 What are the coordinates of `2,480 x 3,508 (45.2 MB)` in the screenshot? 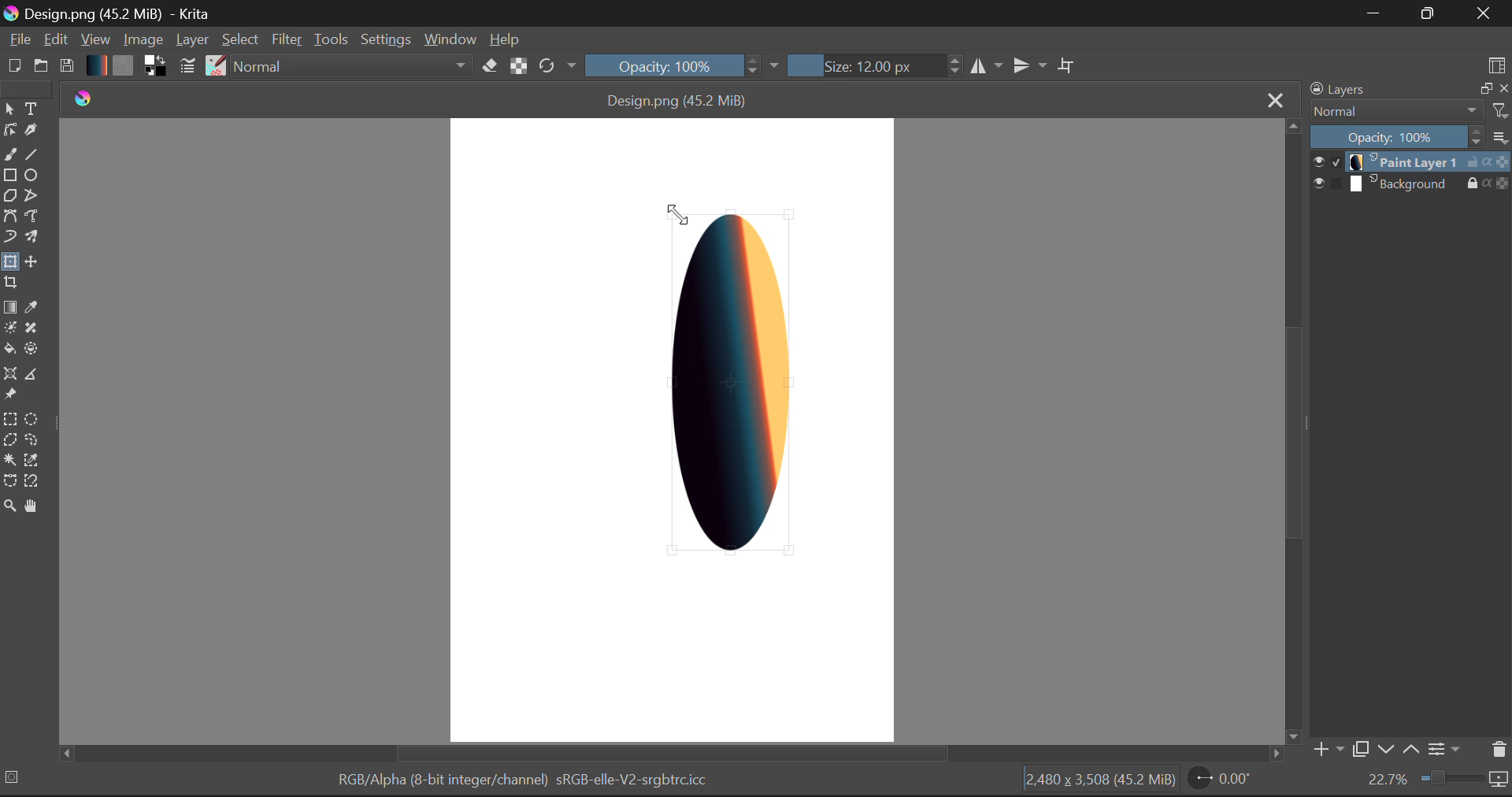 It's located at (1099, 782).